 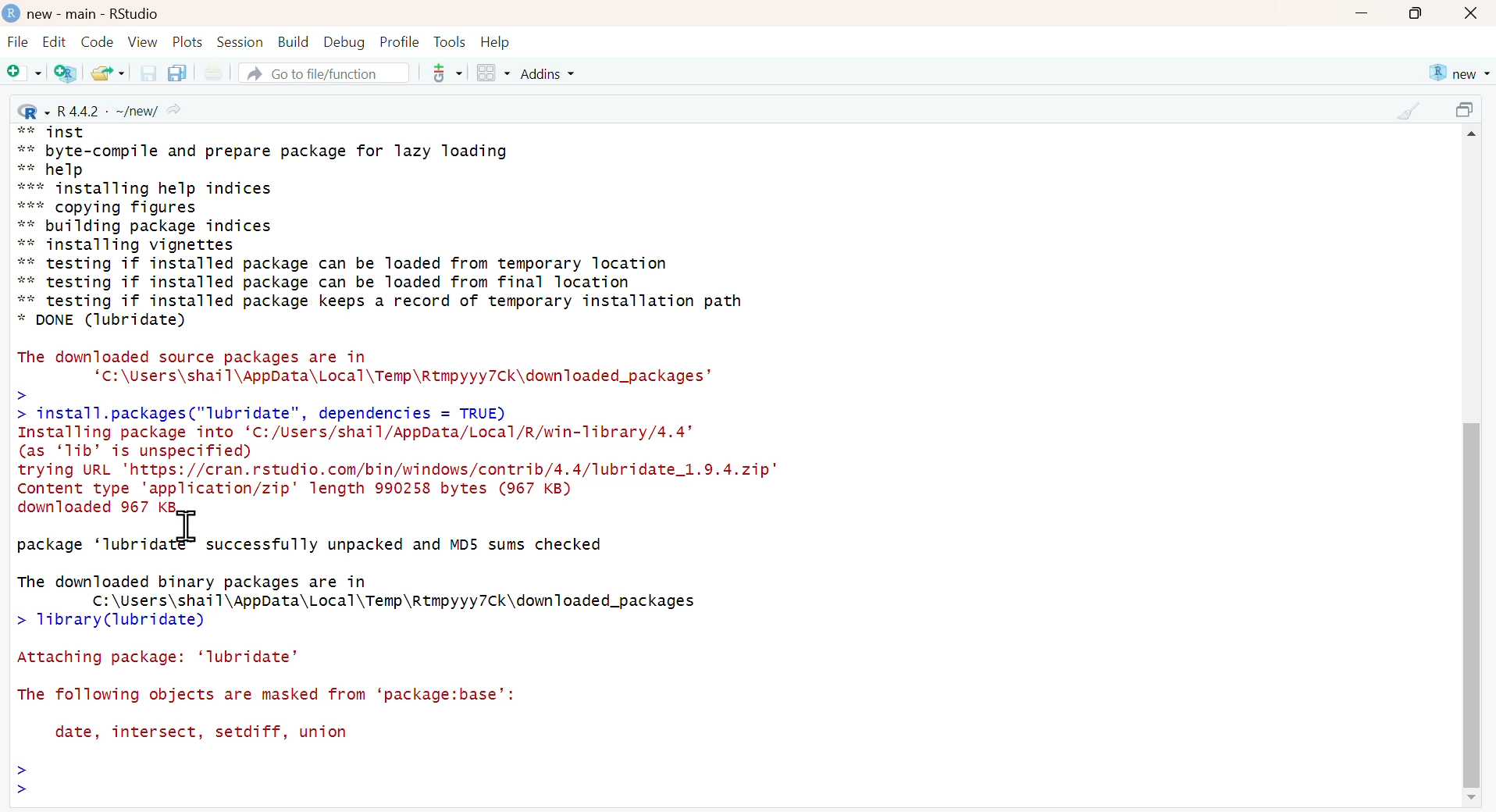 What do you see at coordinates (176, 72) in the screenshot?
I see `save all the open documents` at bounding box center [176, 72].